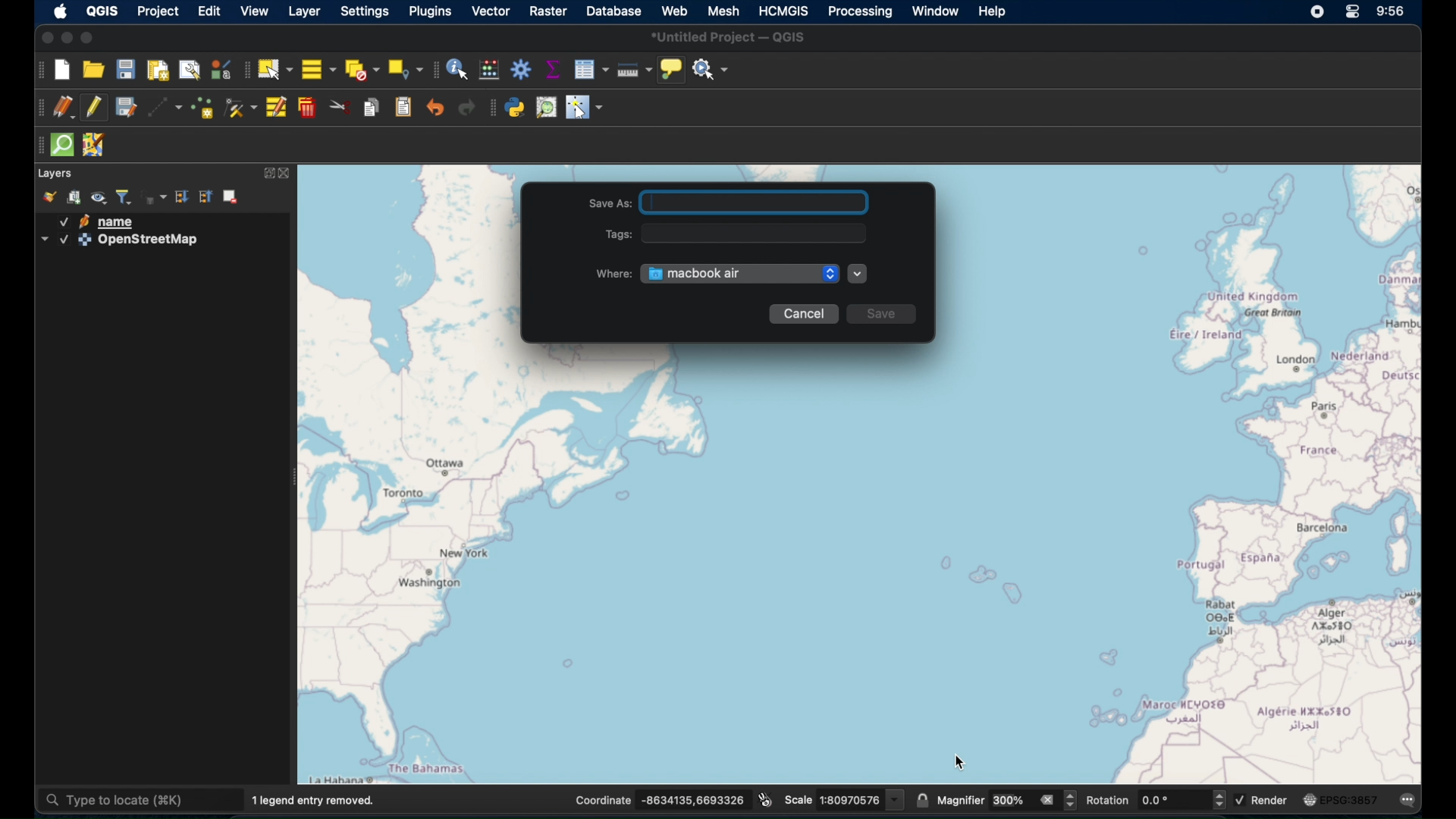 The width and height of the screenshot is (1456, 819). What do you see at coordinates (165, 109) in the screenshot?
I see `digitize with segment` at bounding box center [165, 109].